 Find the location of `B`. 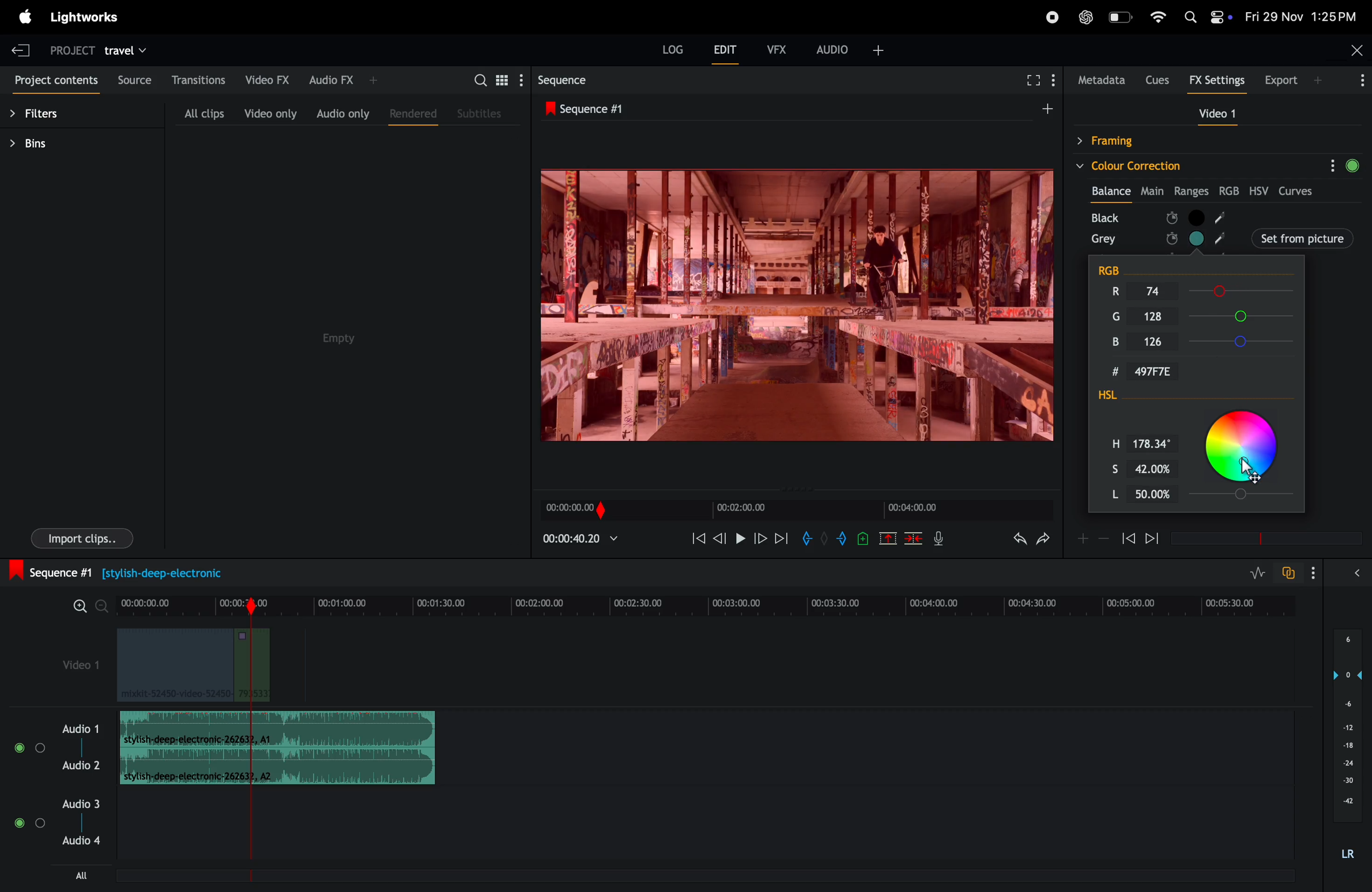

B is located at coordinates (1117, 343).